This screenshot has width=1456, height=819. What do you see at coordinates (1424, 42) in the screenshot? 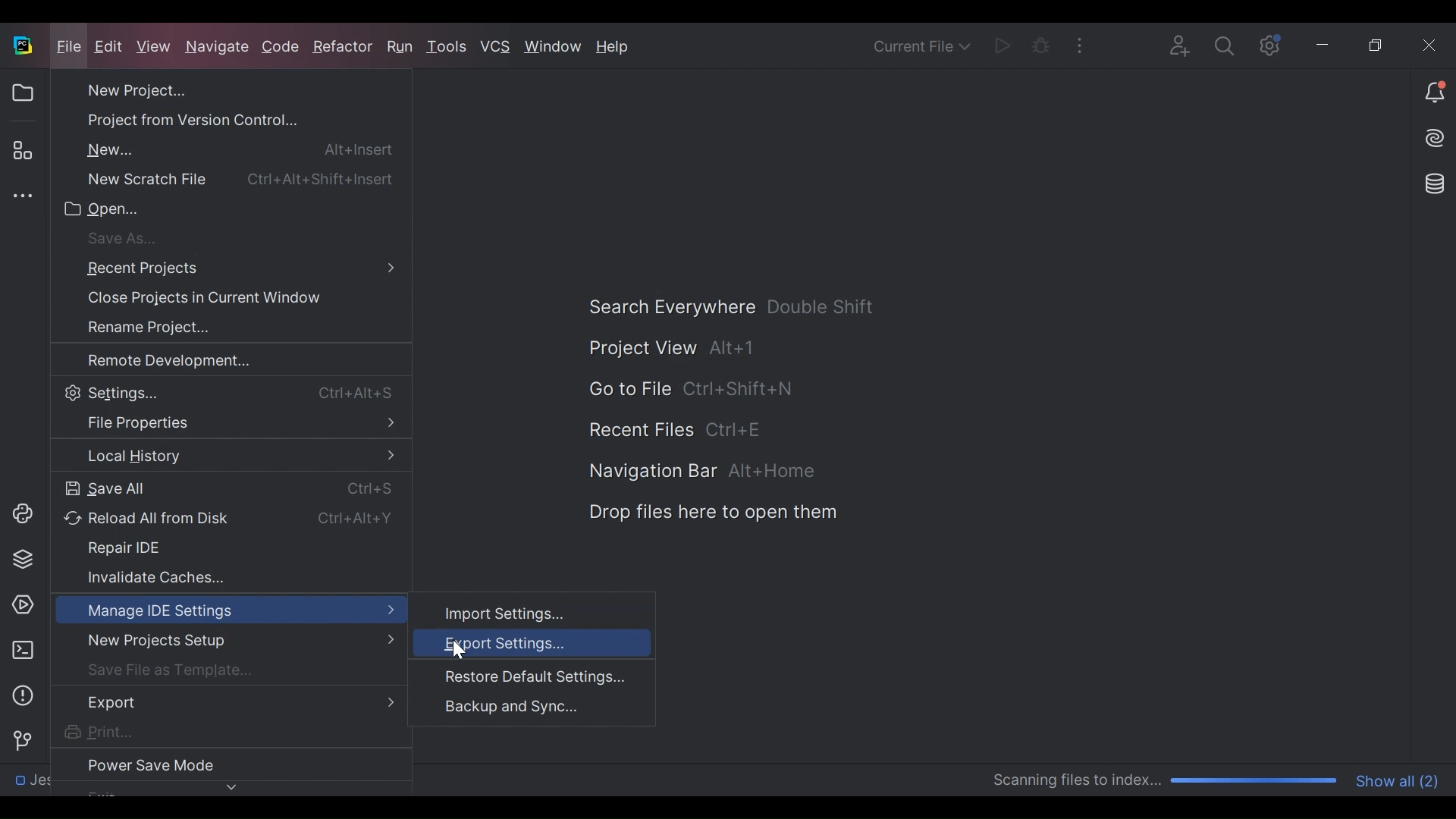
I see `Close` at bounding box center [1424, 42].